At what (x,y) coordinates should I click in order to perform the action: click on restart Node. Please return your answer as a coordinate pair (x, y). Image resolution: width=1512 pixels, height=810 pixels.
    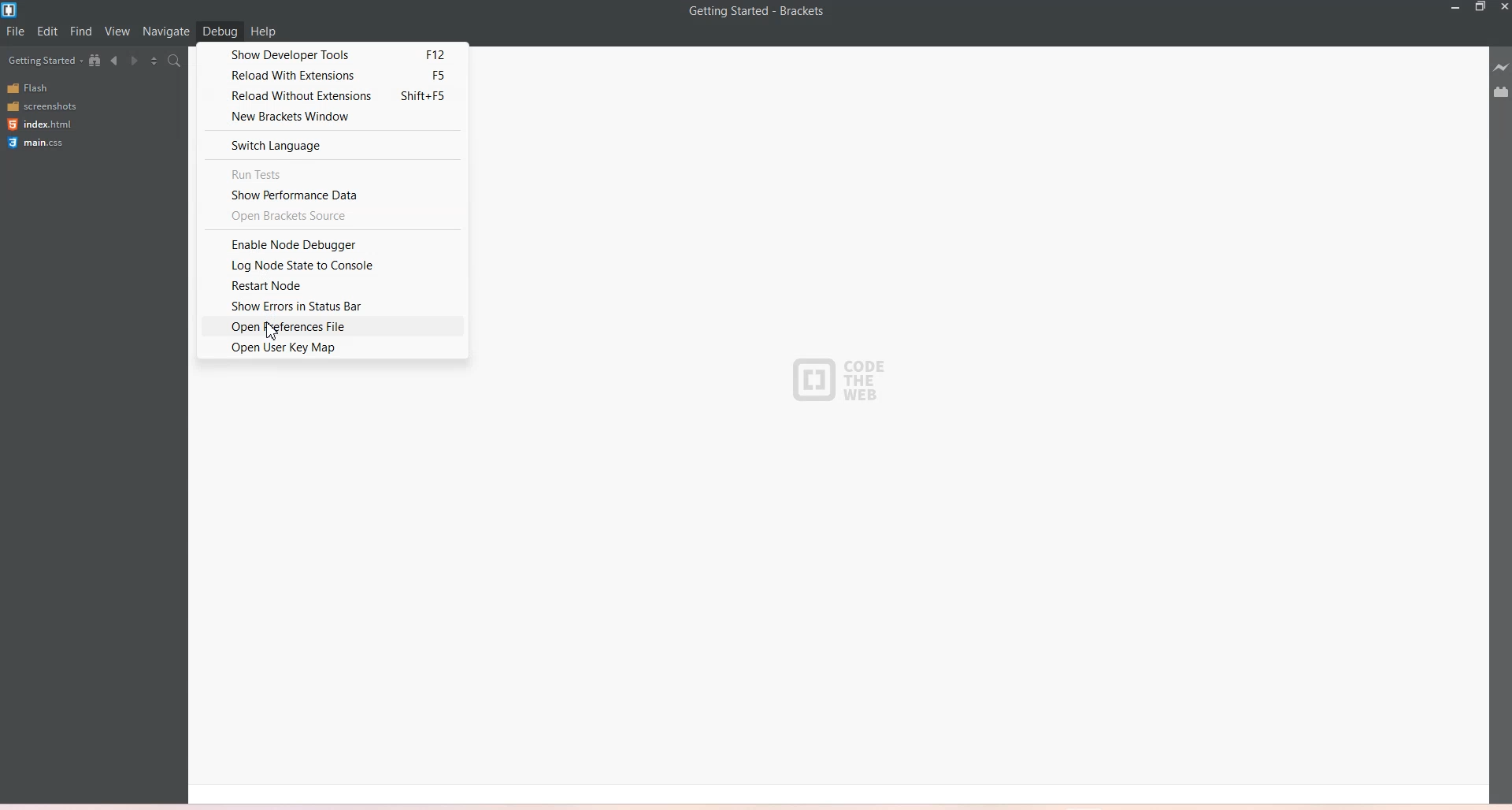
    Looking at the image, I should click on (327, 284).